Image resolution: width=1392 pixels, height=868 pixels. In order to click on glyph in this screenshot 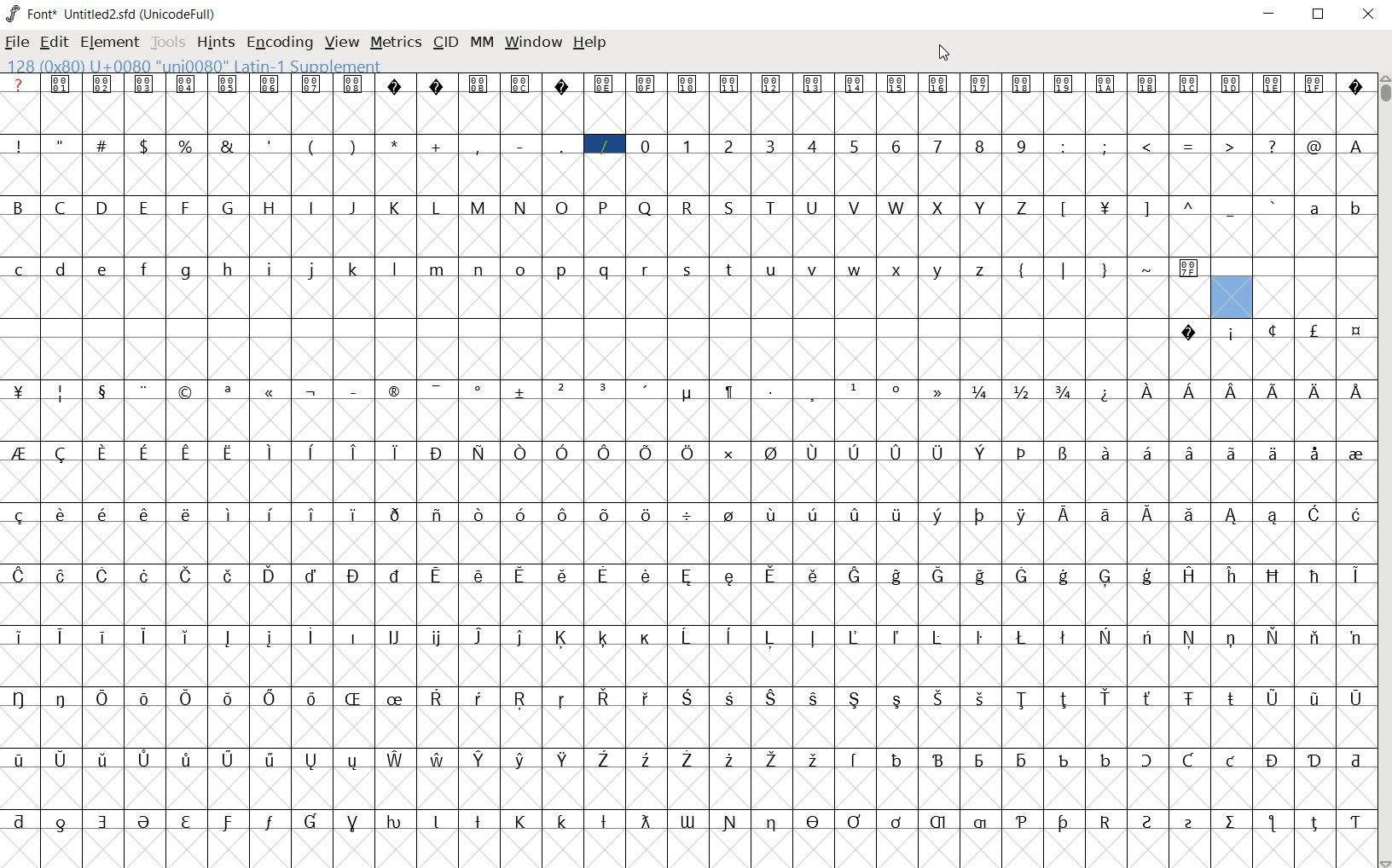, I will do `click(687, 759)`.